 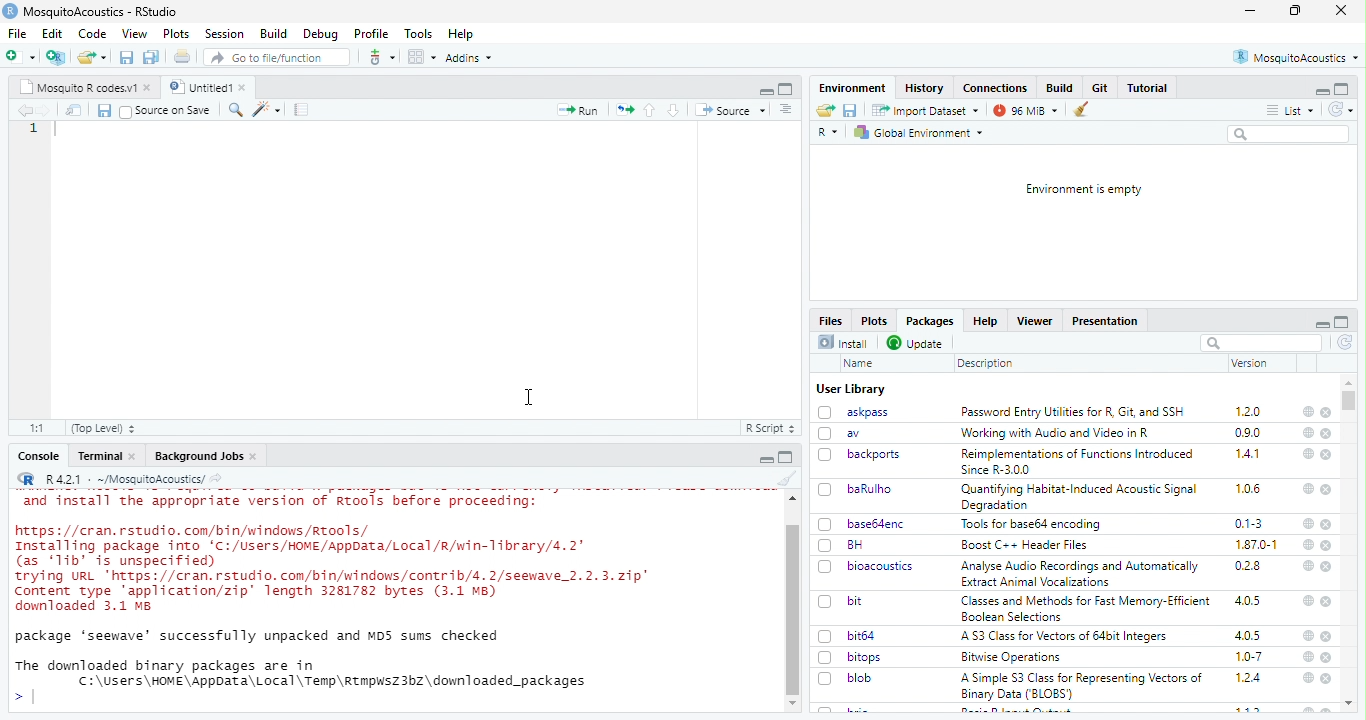 I want to click on close, so click(x=1327, y=491).